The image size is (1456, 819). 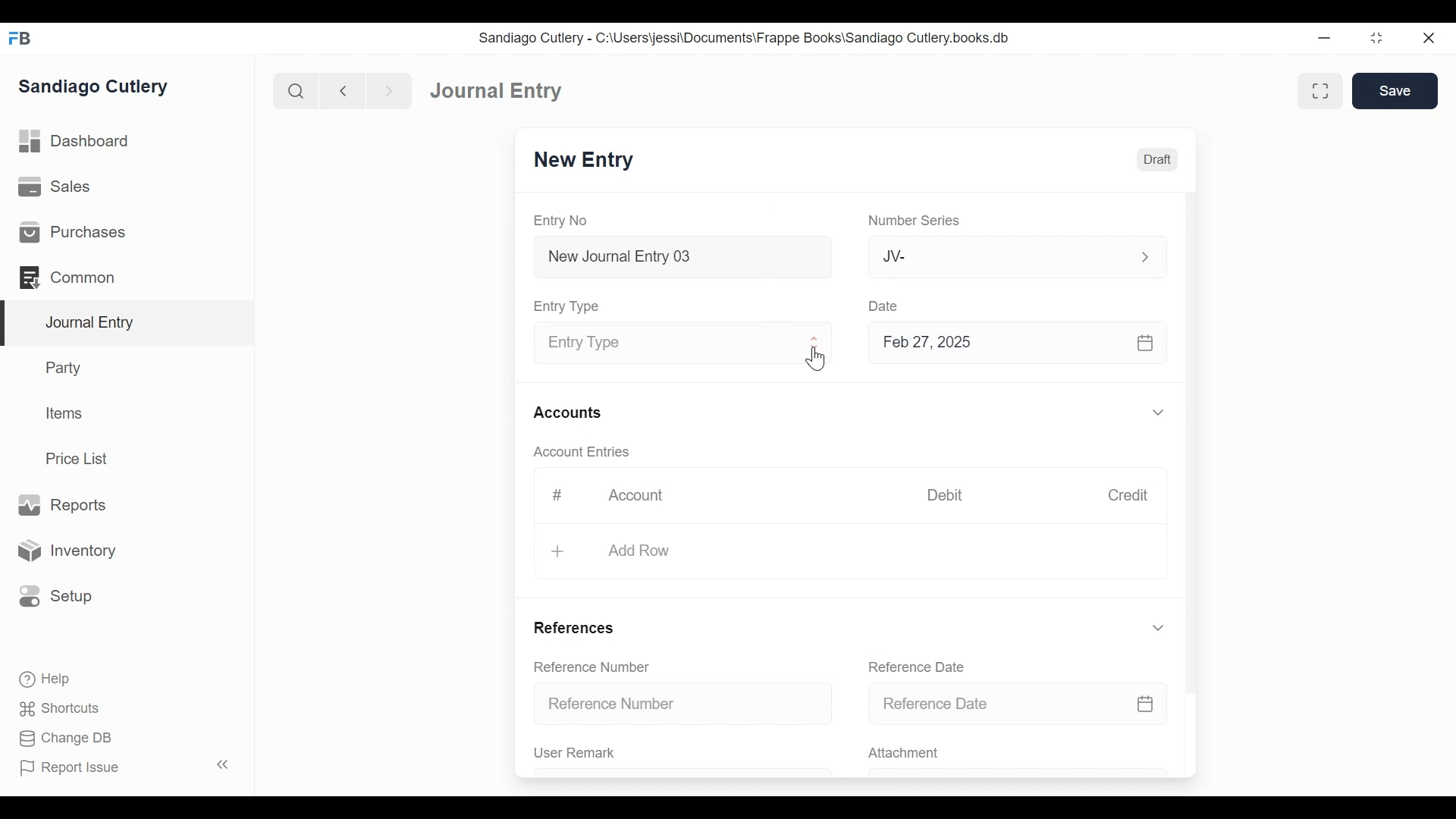 What do you see at coordinates (1326, 37) in the screenshot?
I see `Minimize` at bounding box center [1326, 37].